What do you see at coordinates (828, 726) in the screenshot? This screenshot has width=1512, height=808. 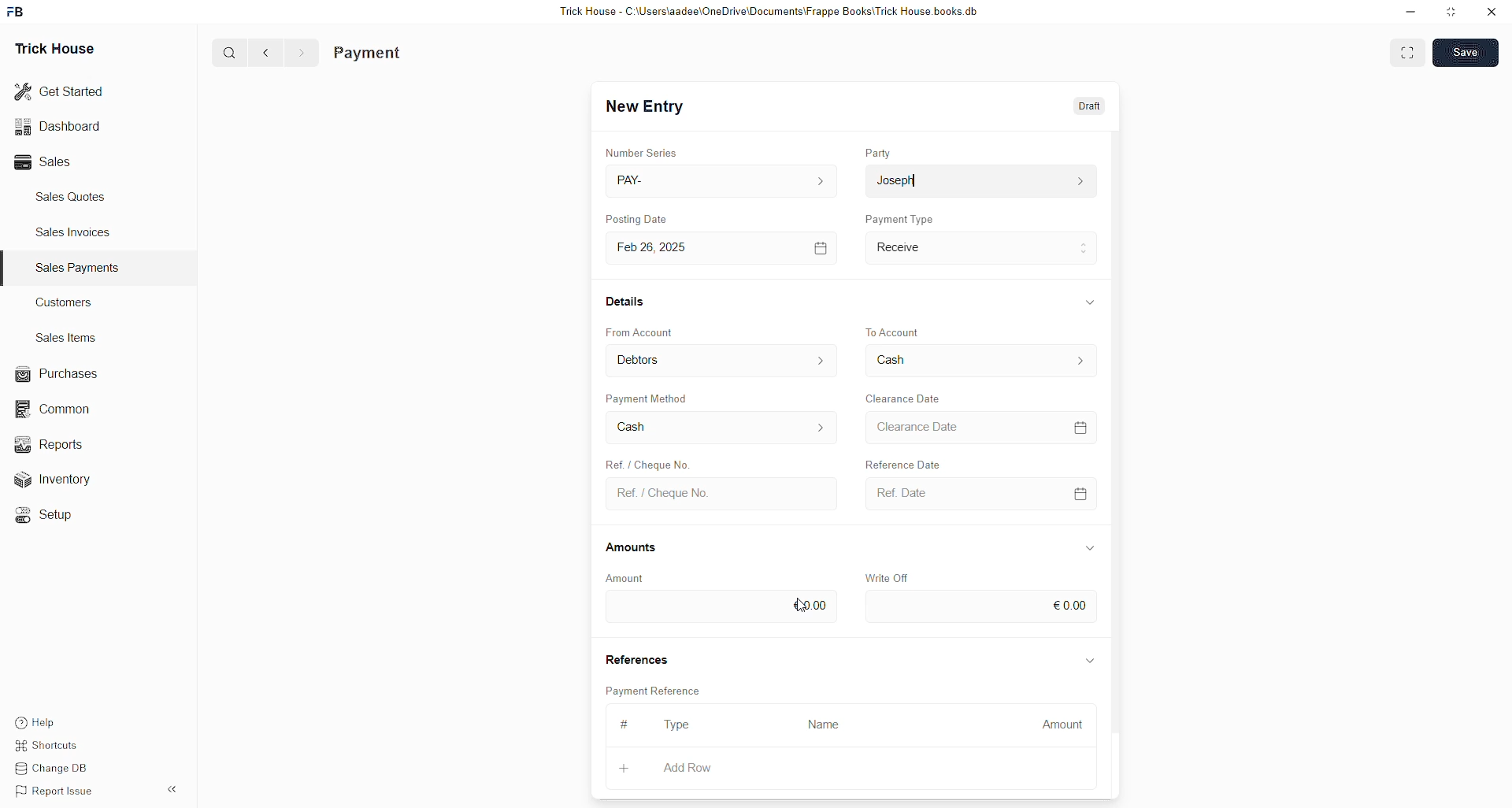 I see `Name` at bounding box center [828, 726].